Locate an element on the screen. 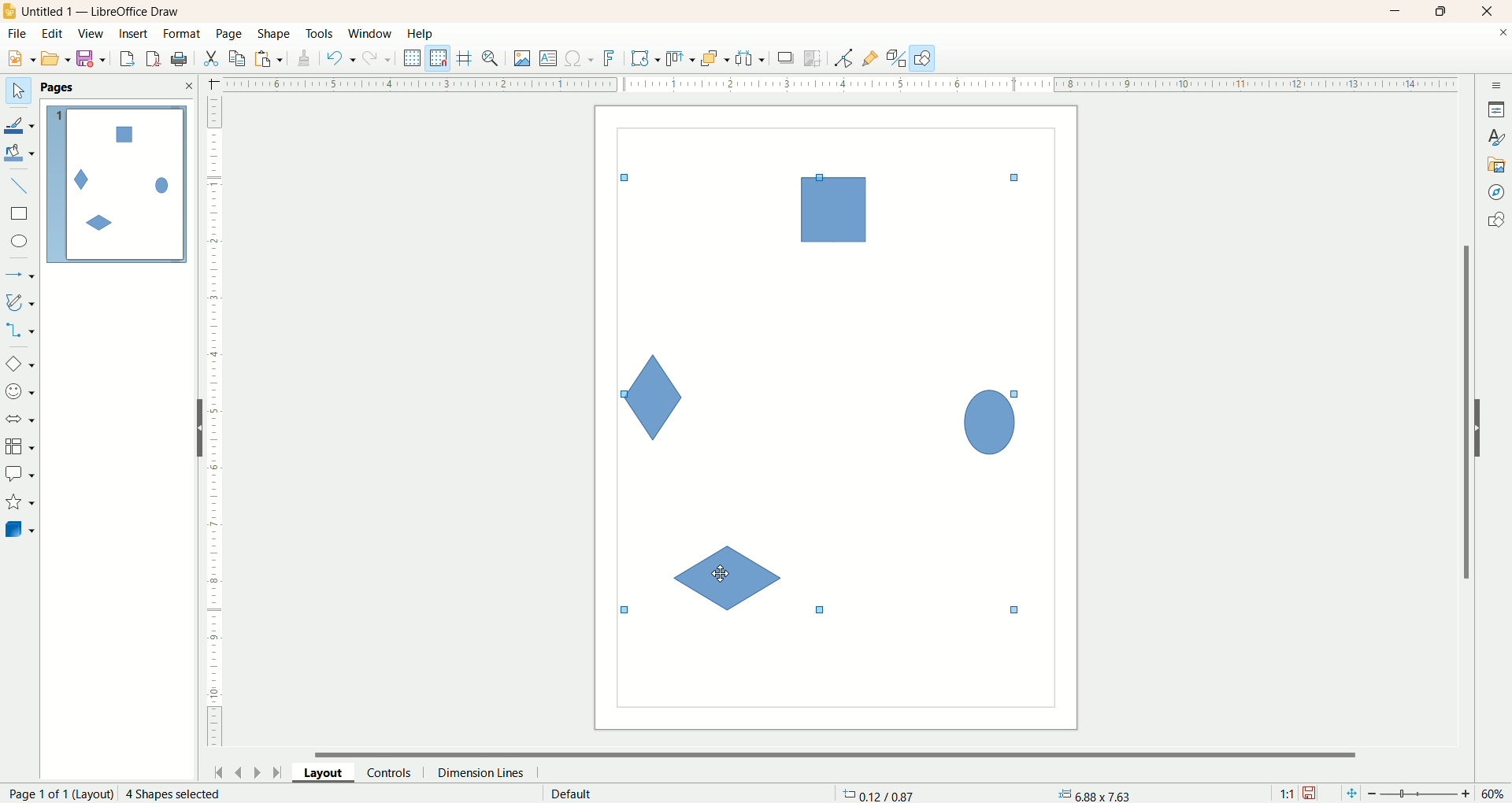 This screenshot has height=803, width=1512. anchor point is located at coordinates (1092, 794).